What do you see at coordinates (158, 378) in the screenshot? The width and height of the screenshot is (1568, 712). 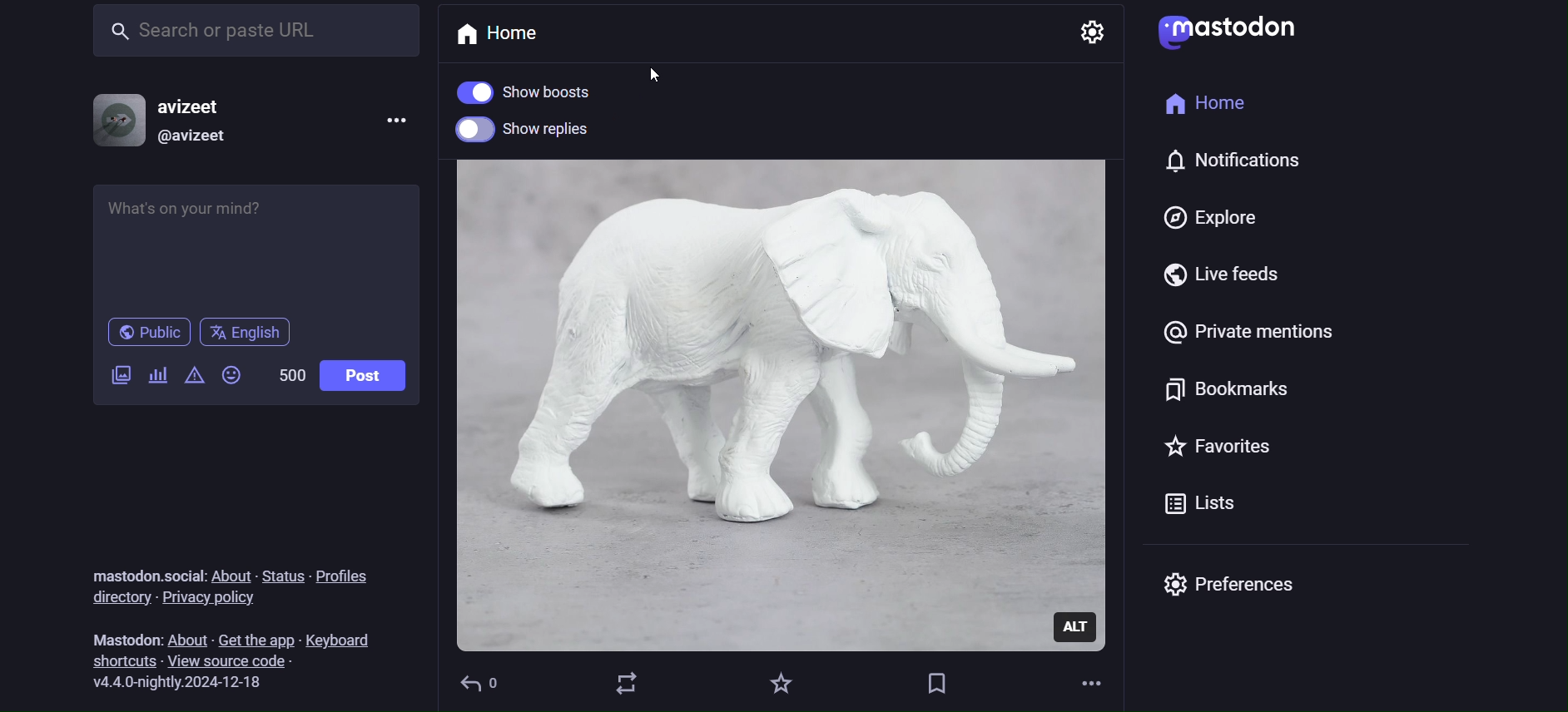 I see `add poll` at bounding box center [158, 378].